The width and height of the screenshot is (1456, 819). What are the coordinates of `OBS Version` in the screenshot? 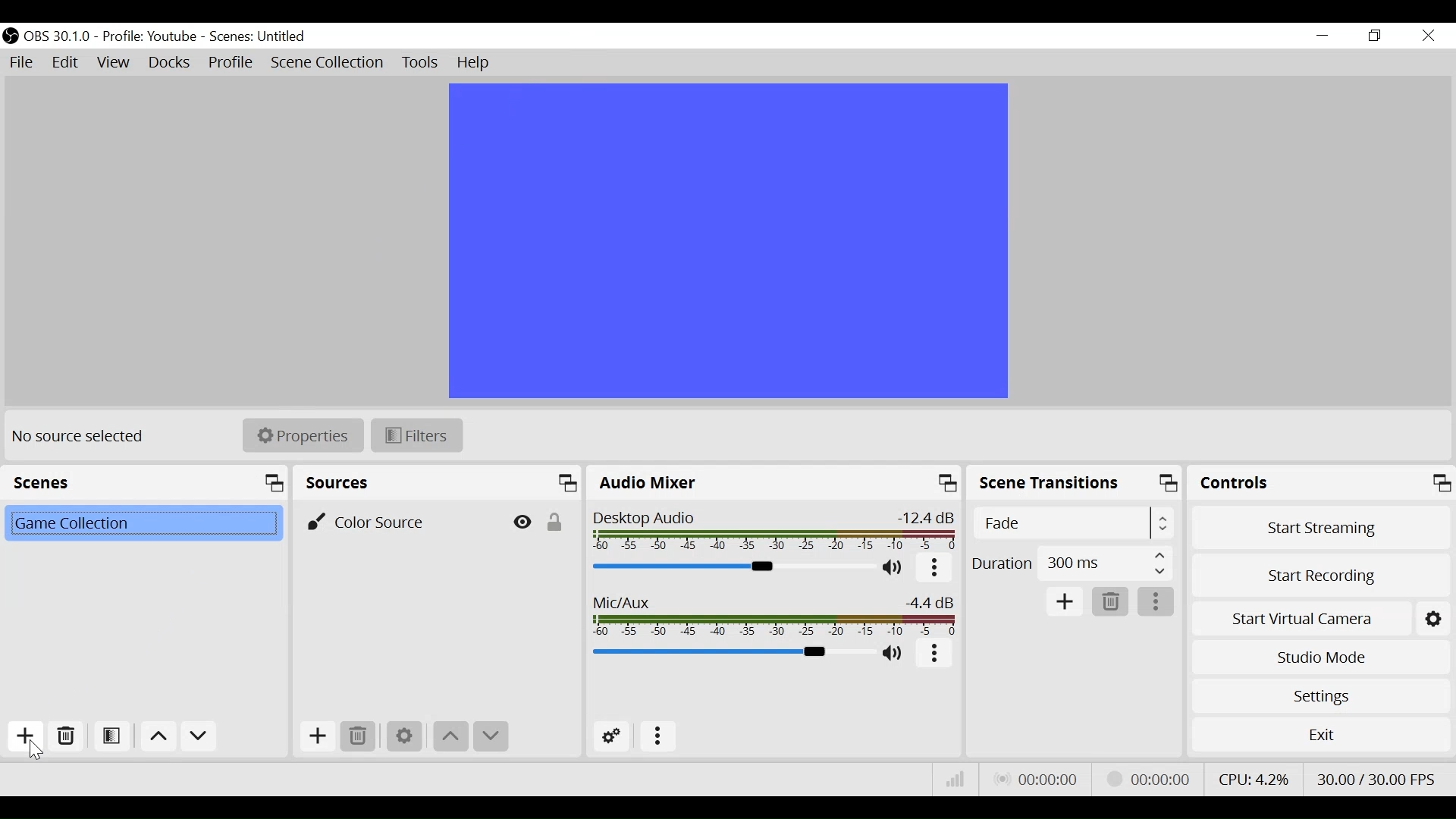 It's located at (60, 36).